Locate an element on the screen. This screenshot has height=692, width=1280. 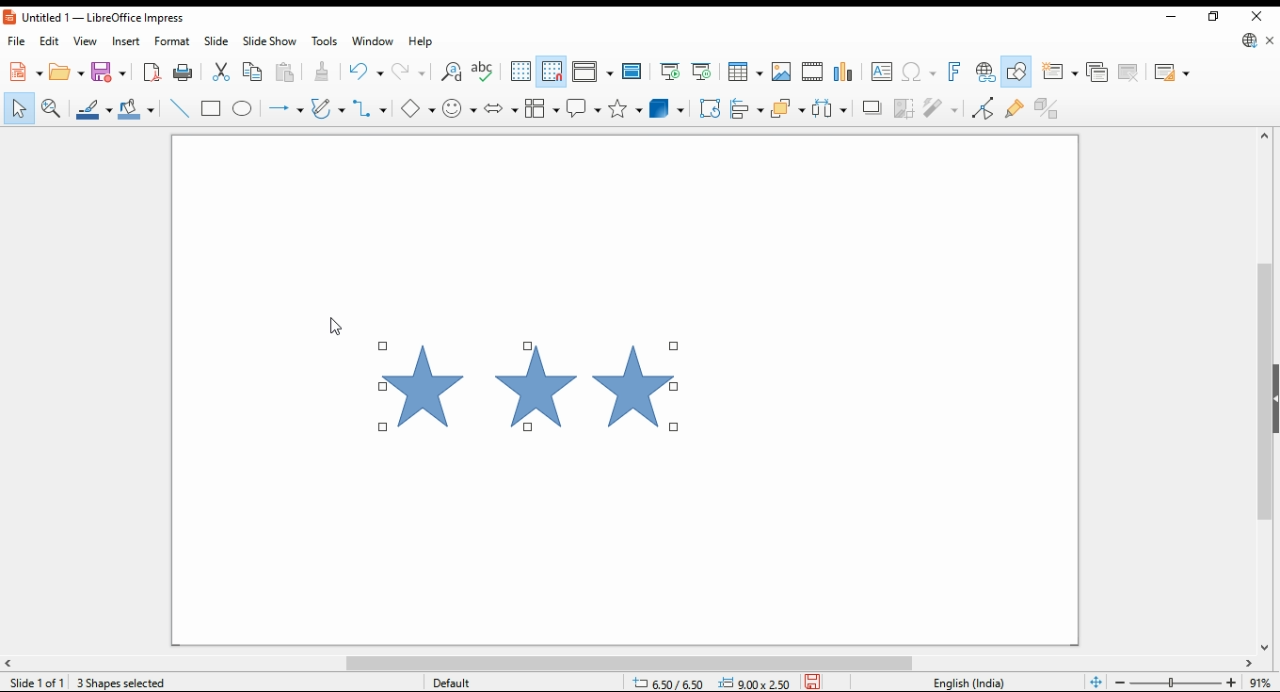
insert video is located at coordinates (812, 70).